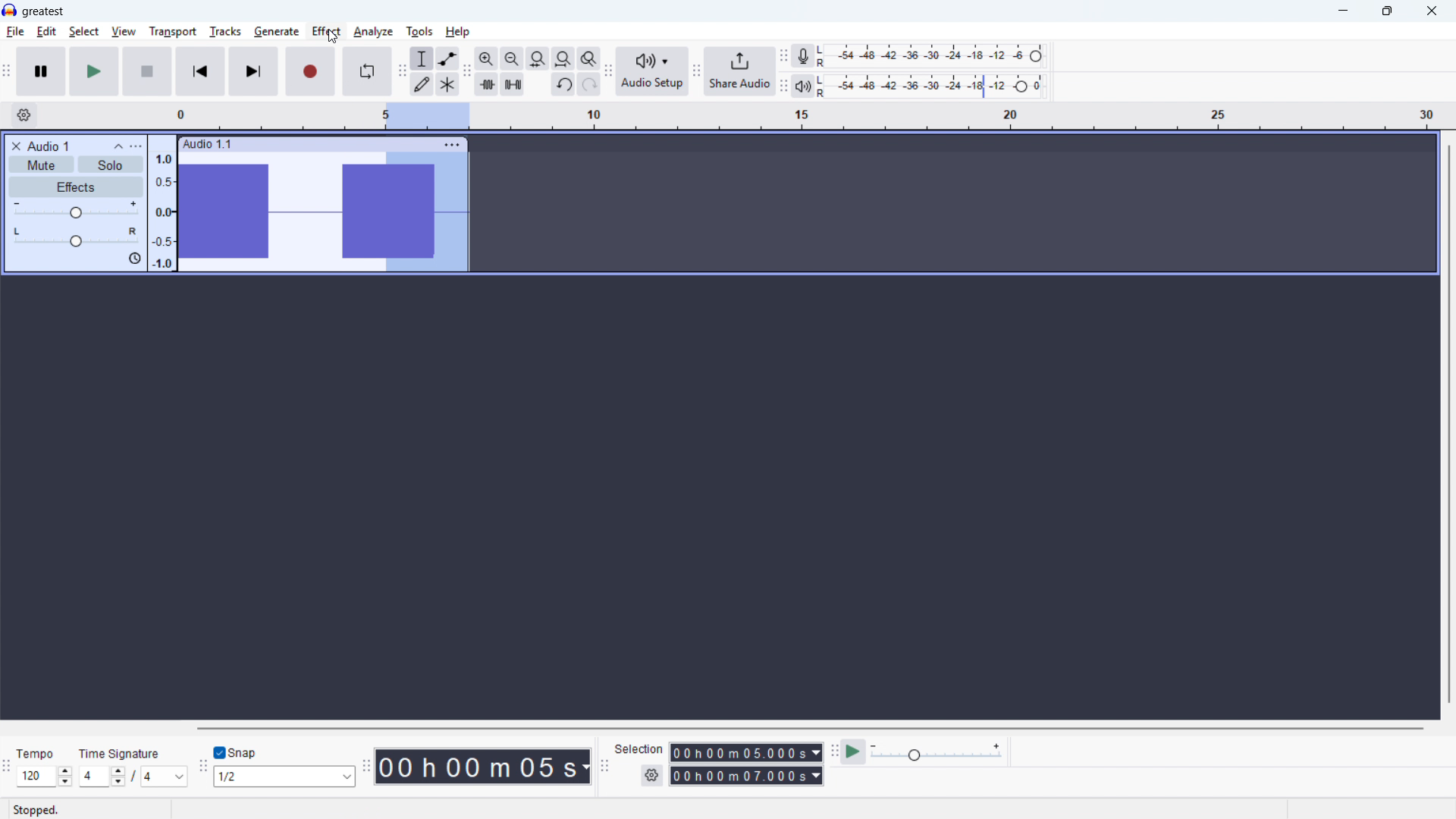 This screenshot has width=1456, height=819. What do you see at coordinates (589, 58) in the screenshot?
I see `Toggle zoom ` at bounding box center [589, 58].